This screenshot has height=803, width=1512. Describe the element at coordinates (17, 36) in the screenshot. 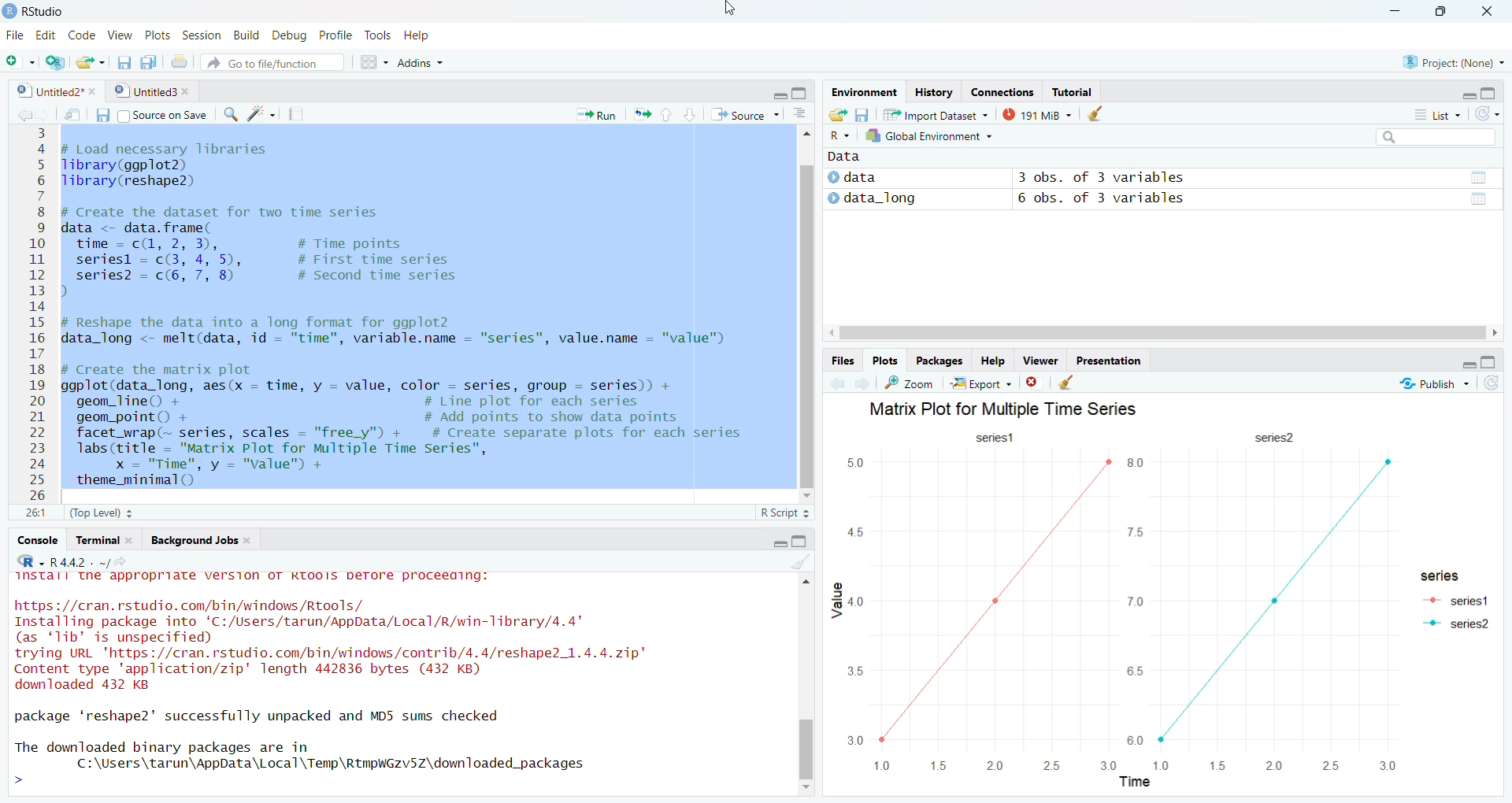

I see `File` at that location.